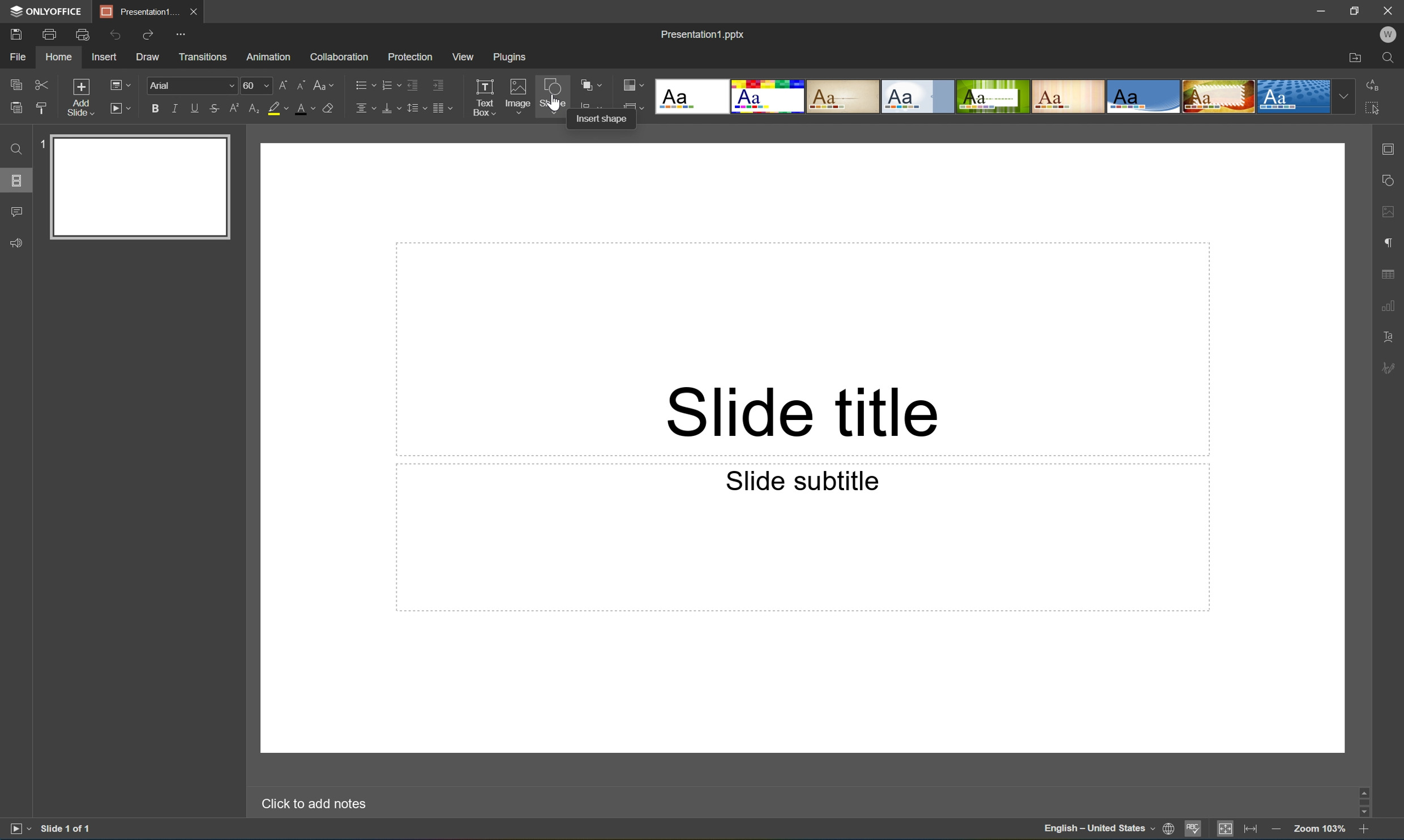 The image size is (1404, 840). I want to click on Add slide, so click(78, 96).